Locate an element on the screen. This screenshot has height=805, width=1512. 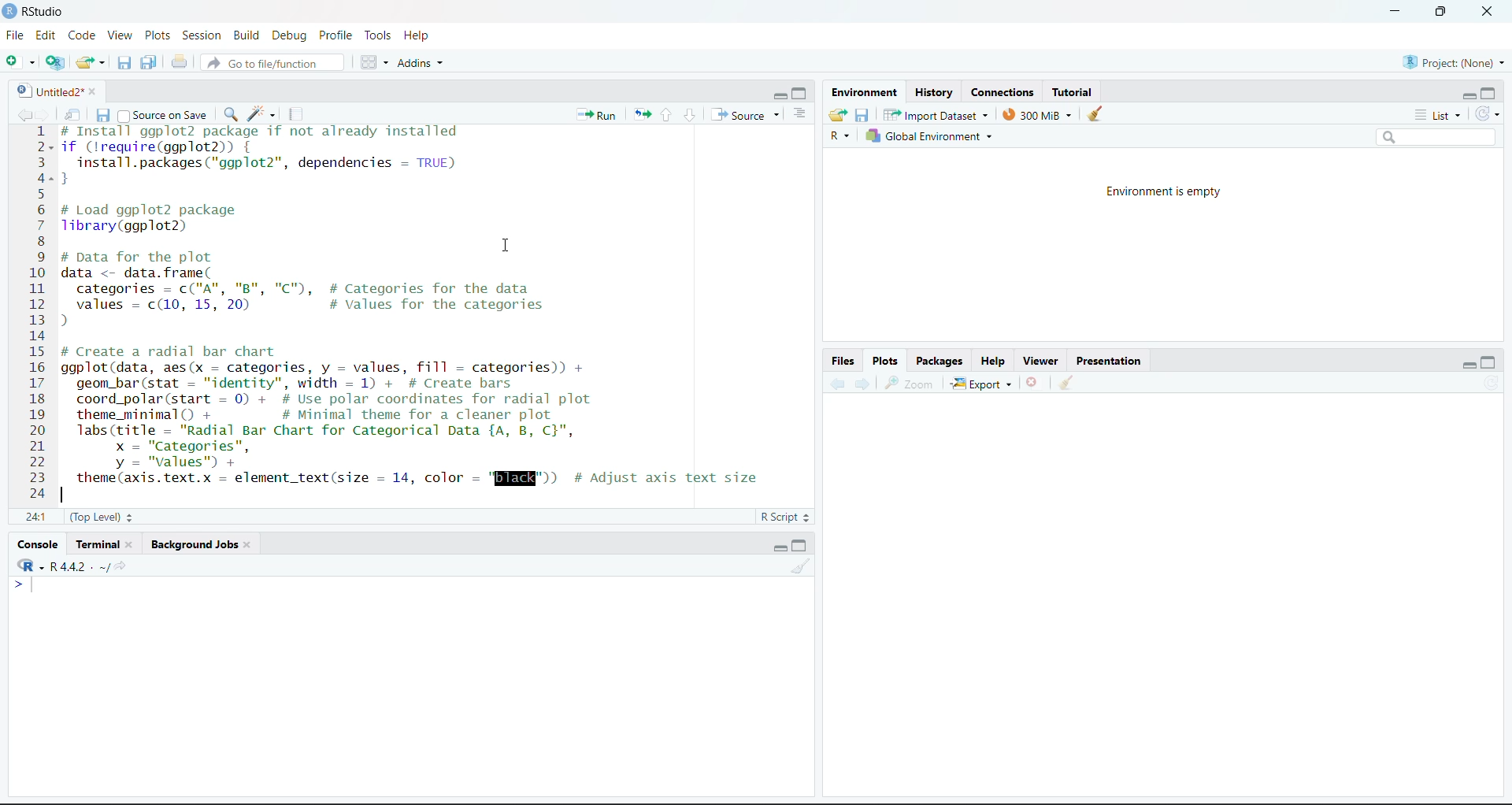
Tutorial is located at coordinates (1077, 91).